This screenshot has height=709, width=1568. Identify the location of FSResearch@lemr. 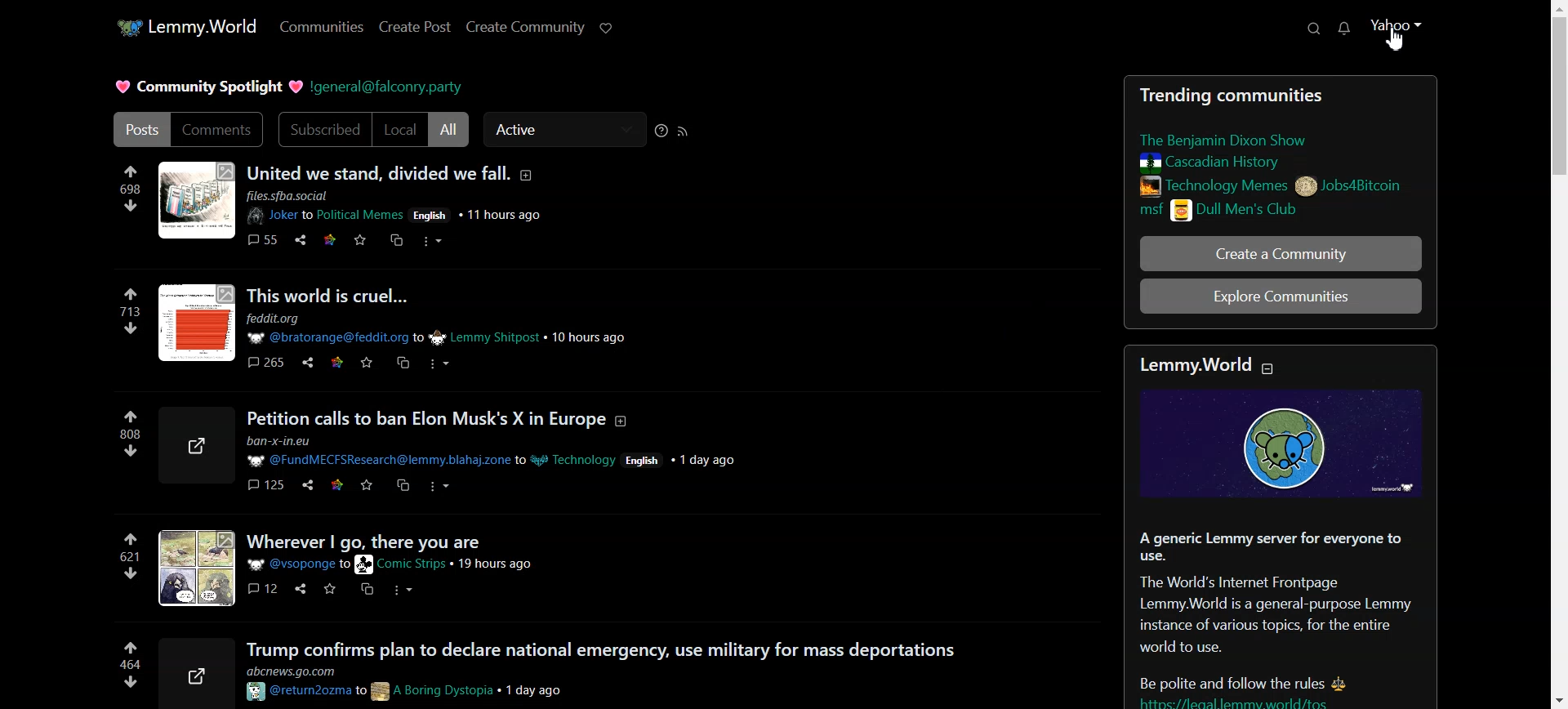
(285, 442).